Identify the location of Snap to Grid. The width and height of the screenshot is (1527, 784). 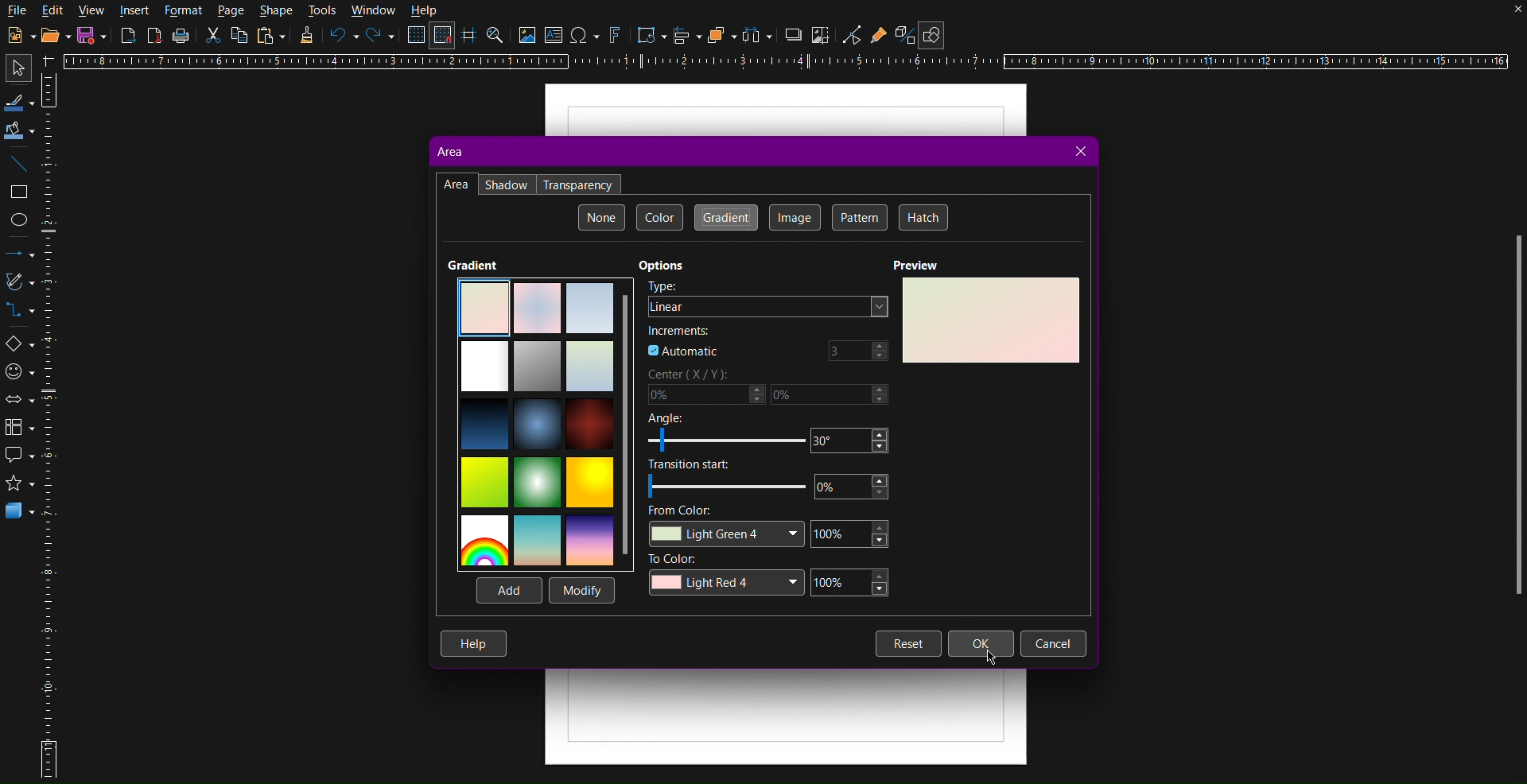
(445, 37).